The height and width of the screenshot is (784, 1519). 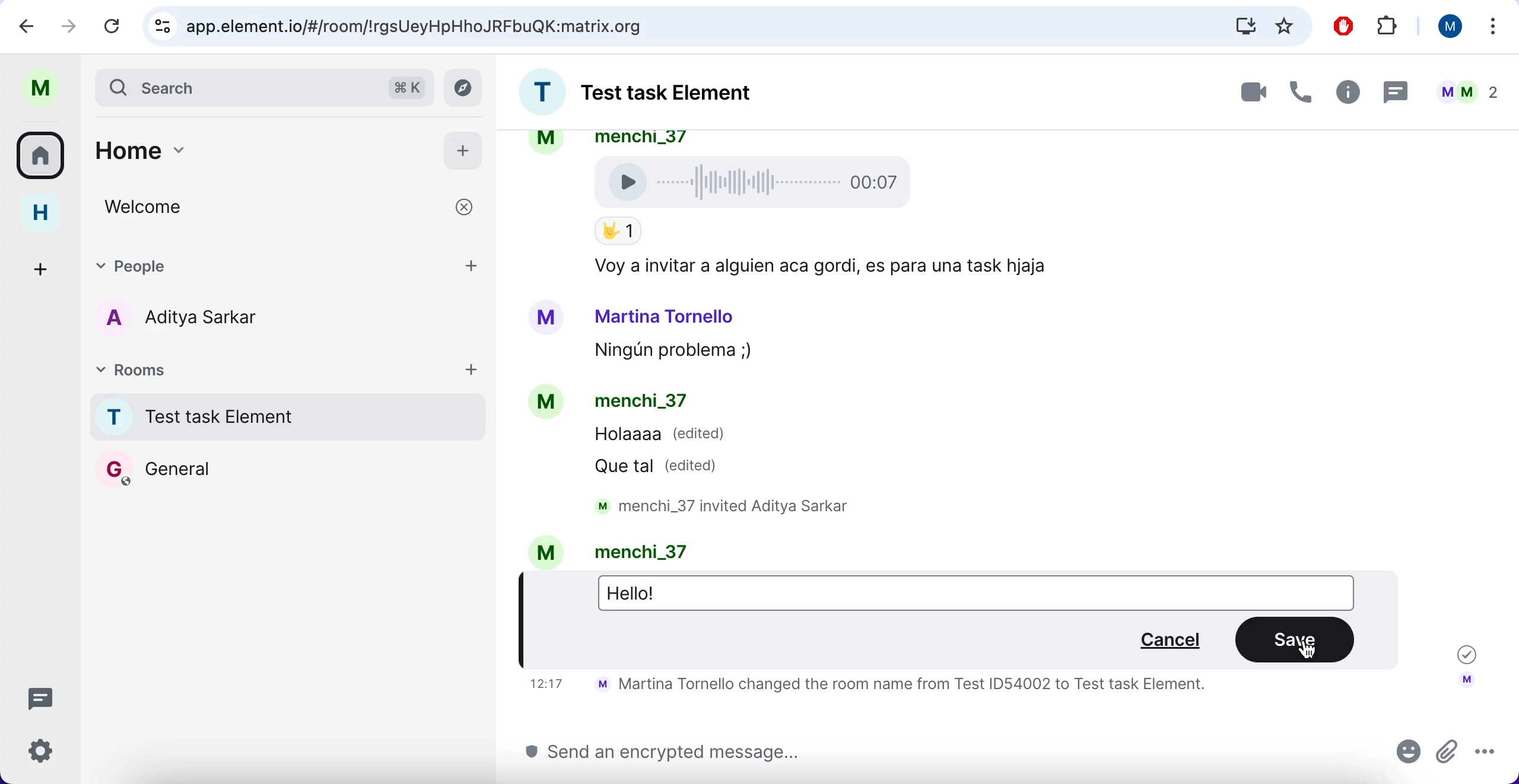 What do you see at coordinates (263, 86) in the screenshot?
I see `search bar` at bounding box center [263, 86].